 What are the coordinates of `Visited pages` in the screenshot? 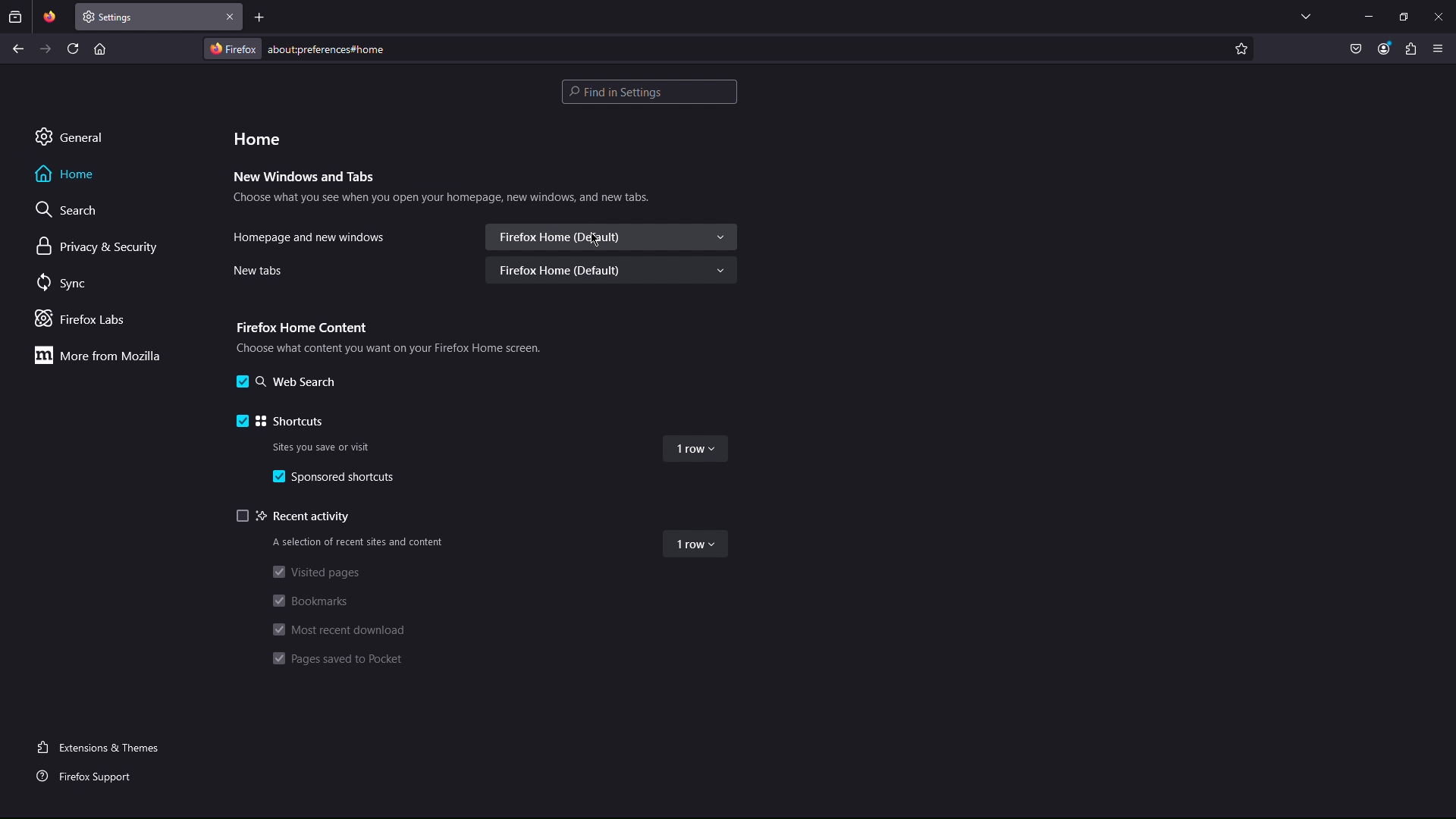 It's located at (315, 575).